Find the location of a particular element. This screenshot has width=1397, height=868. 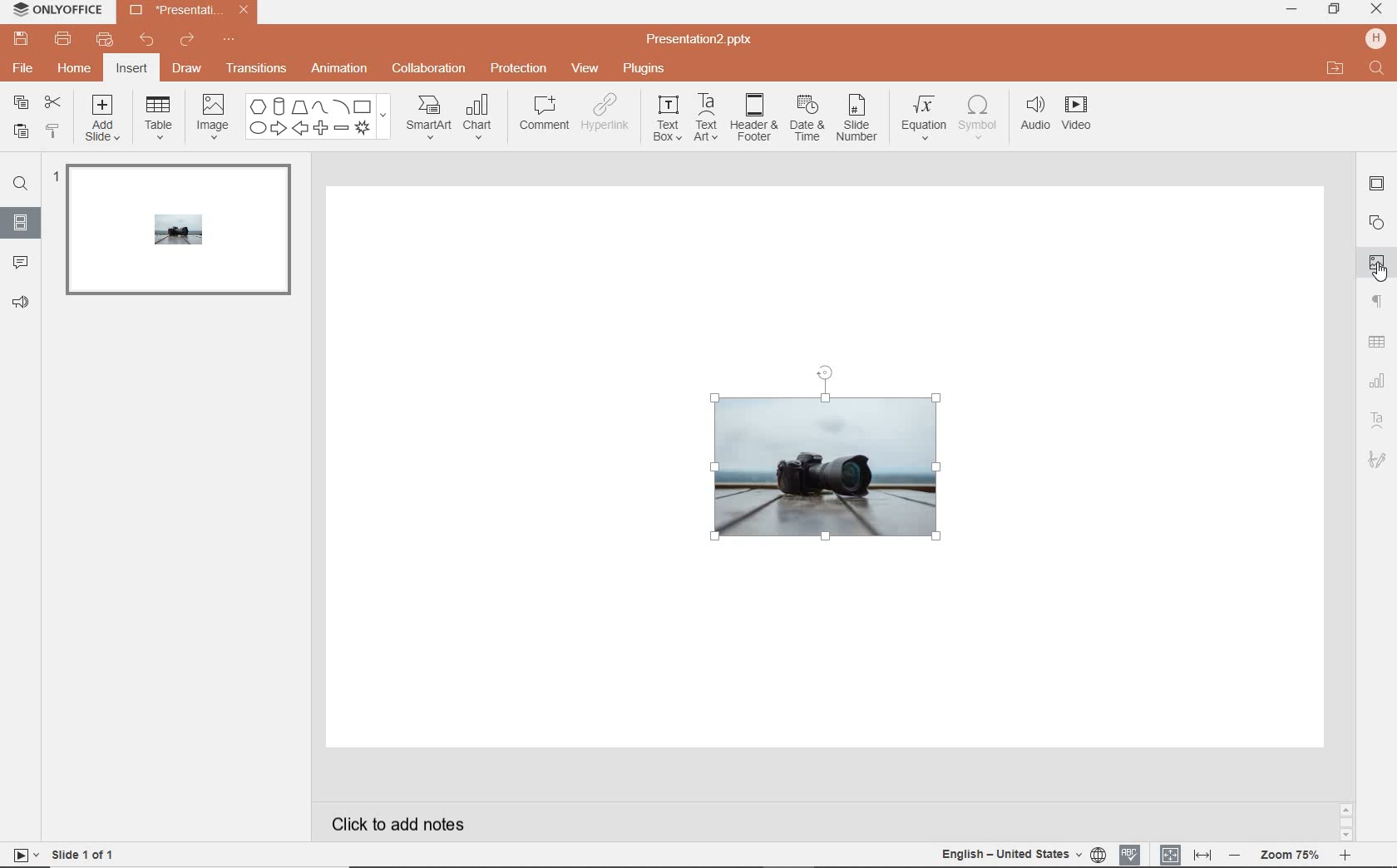

smartart is located at coordinates (427, 118).